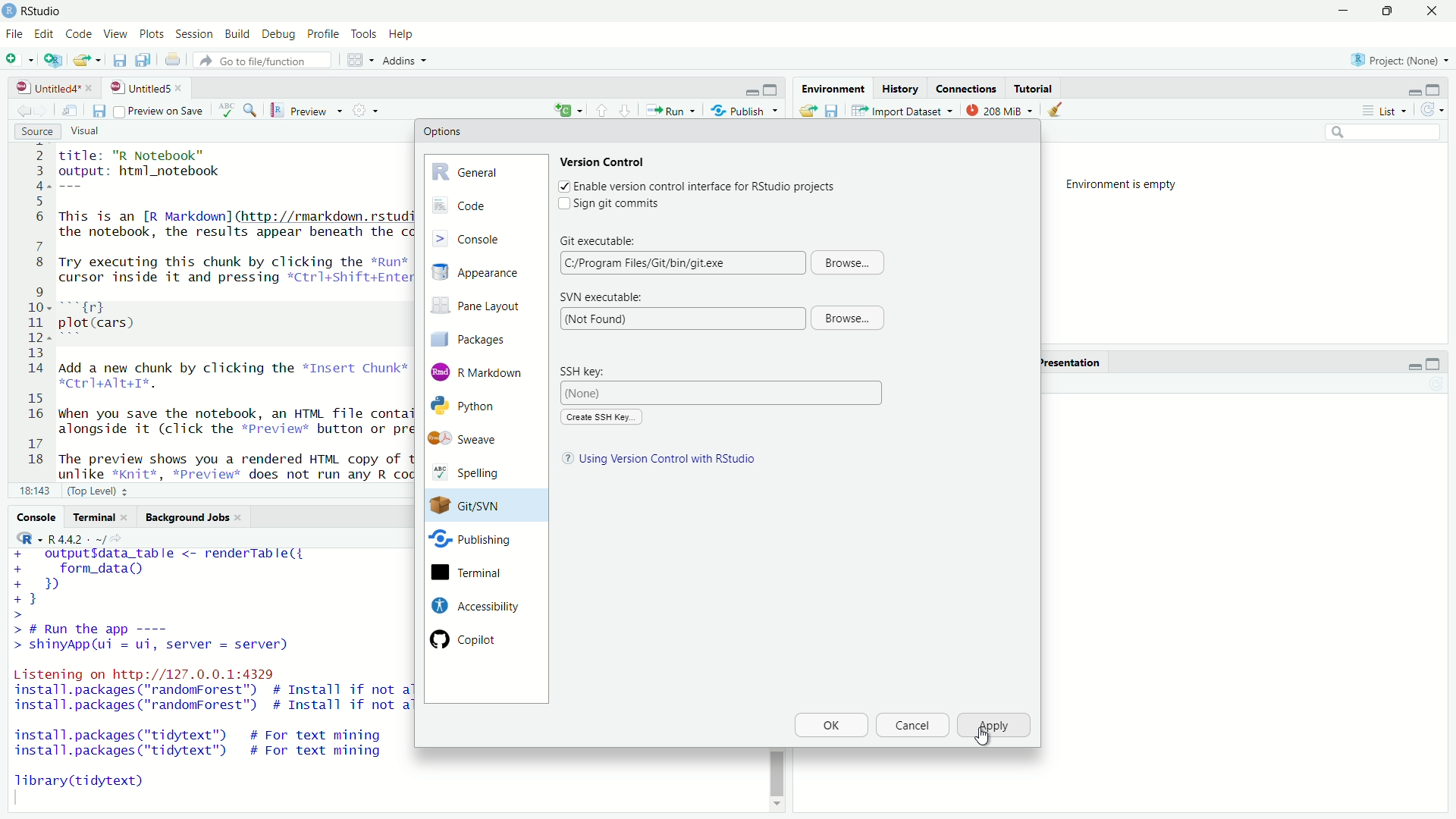  Describe the element at coordinates (94, 132) in the screenshot. I see `Visual` at that location.